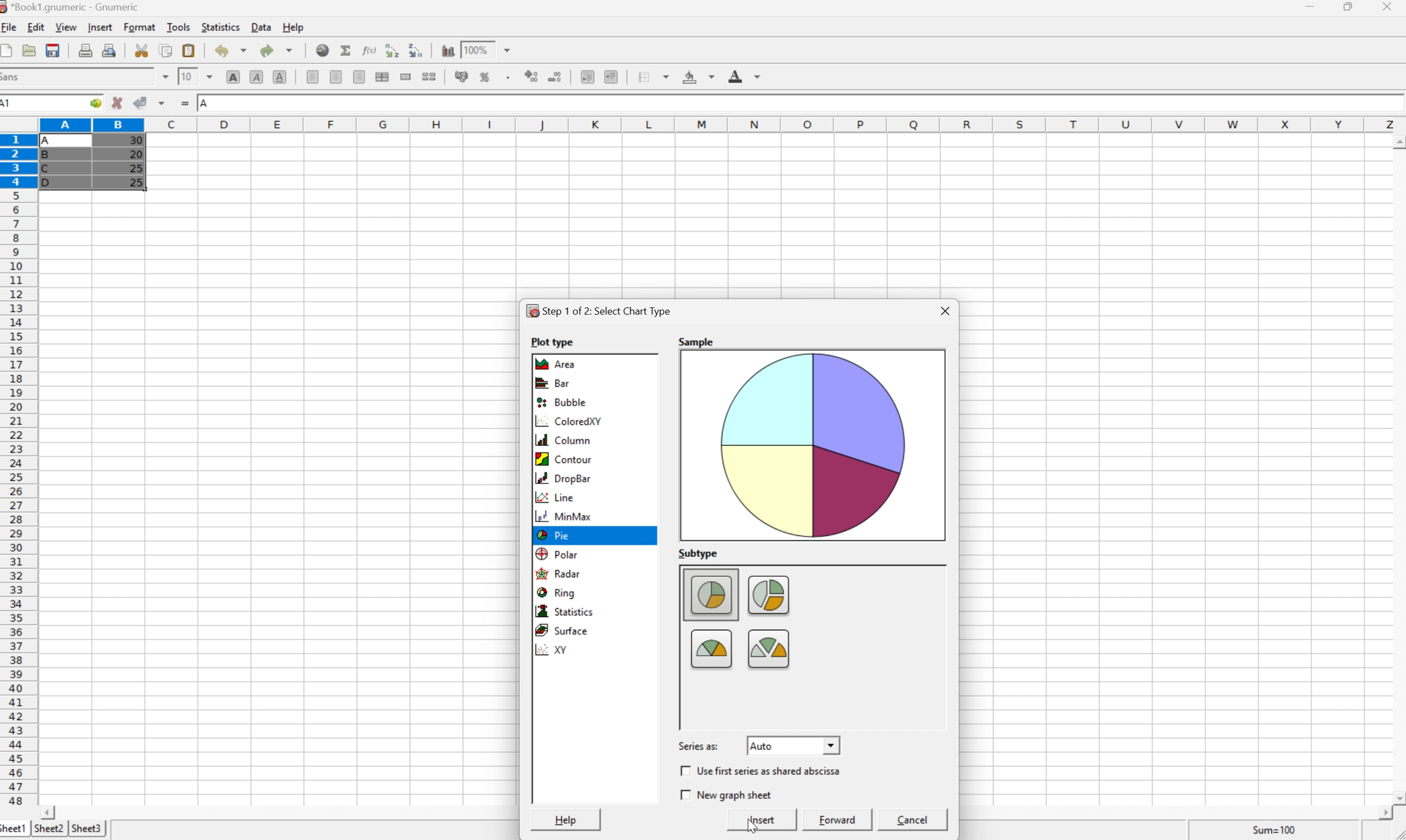 This screenshot has height=840, width=1406. What do you see at coordinates (763, 820) in the screenshot?
I see `Insert` at bounding box center [763, 820].